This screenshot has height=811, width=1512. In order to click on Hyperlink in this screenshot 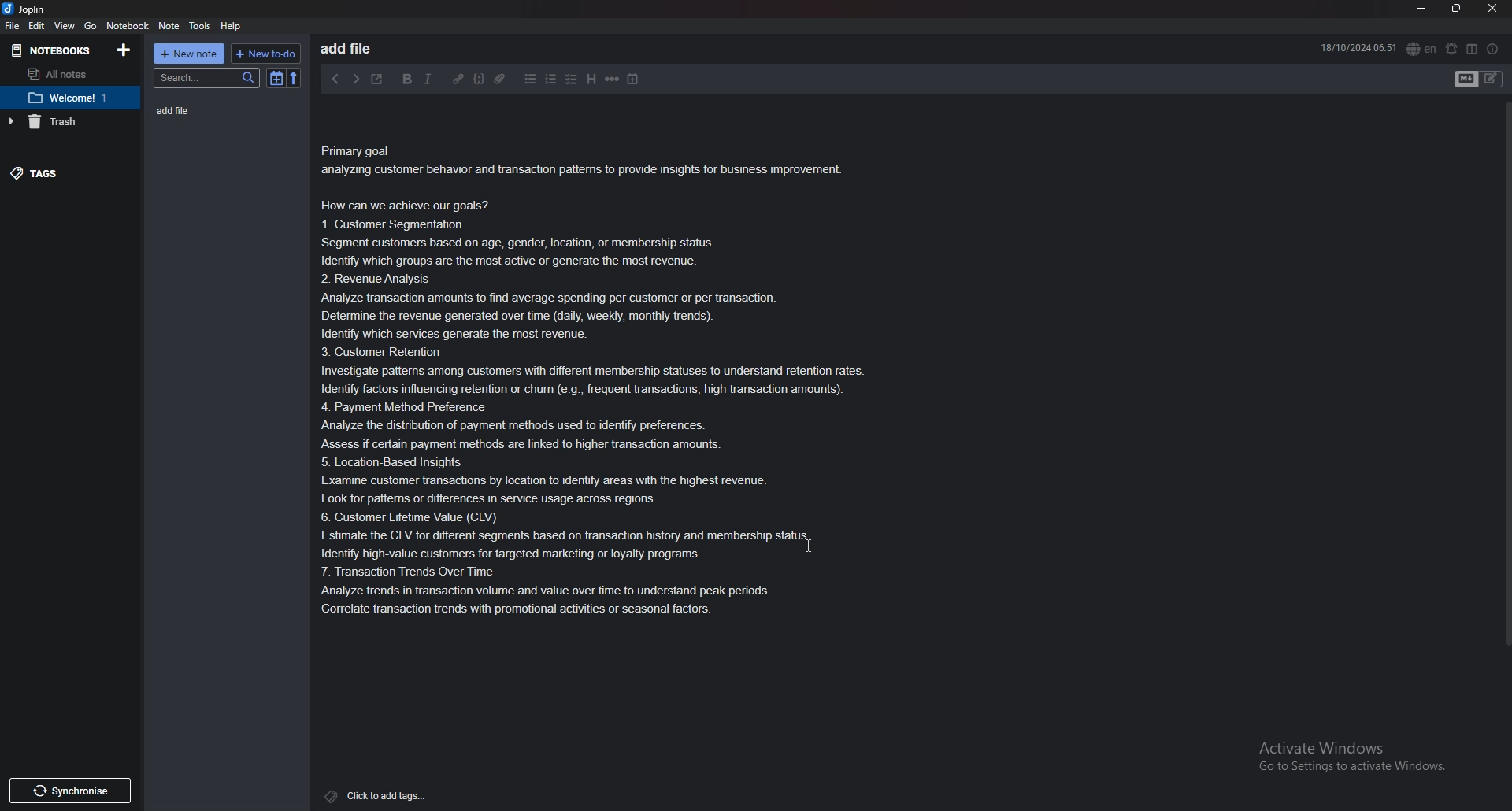, I will do `click(458, 80)`.